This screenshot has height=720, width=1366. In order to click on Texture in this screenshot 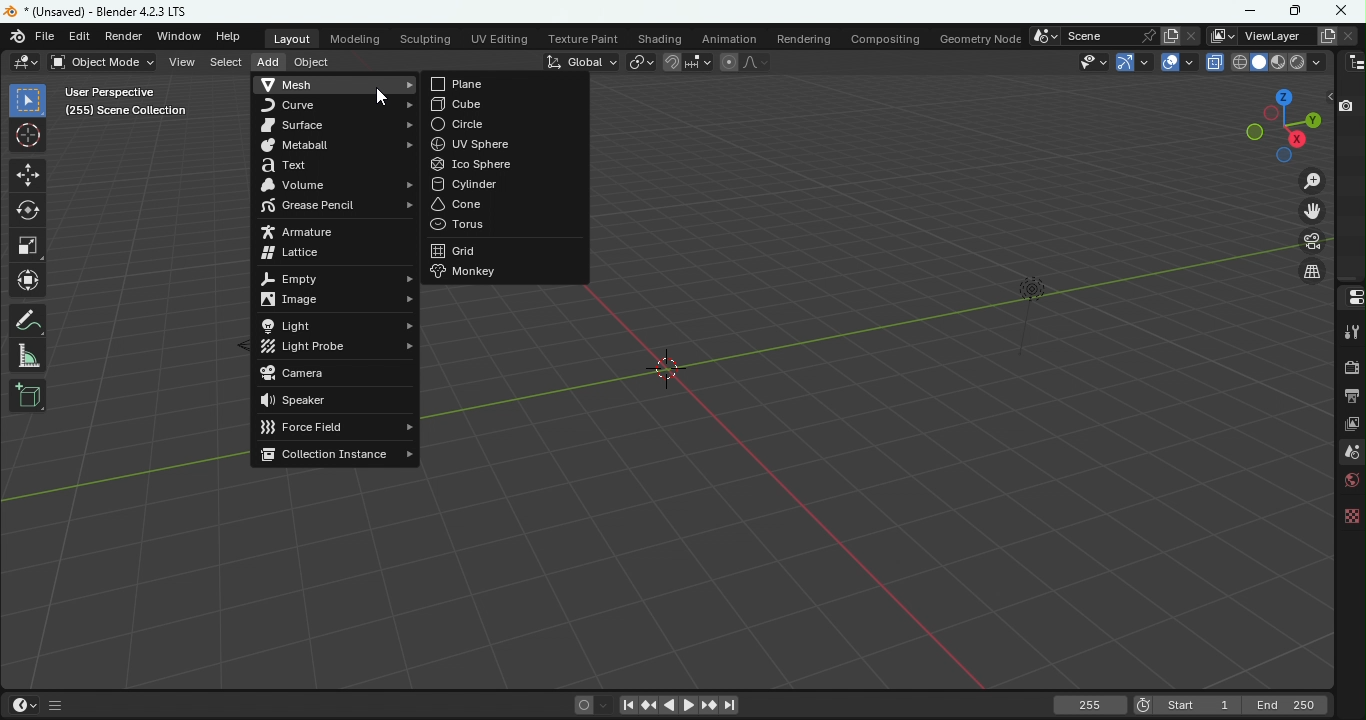, I will do `click(1349, 520)`.